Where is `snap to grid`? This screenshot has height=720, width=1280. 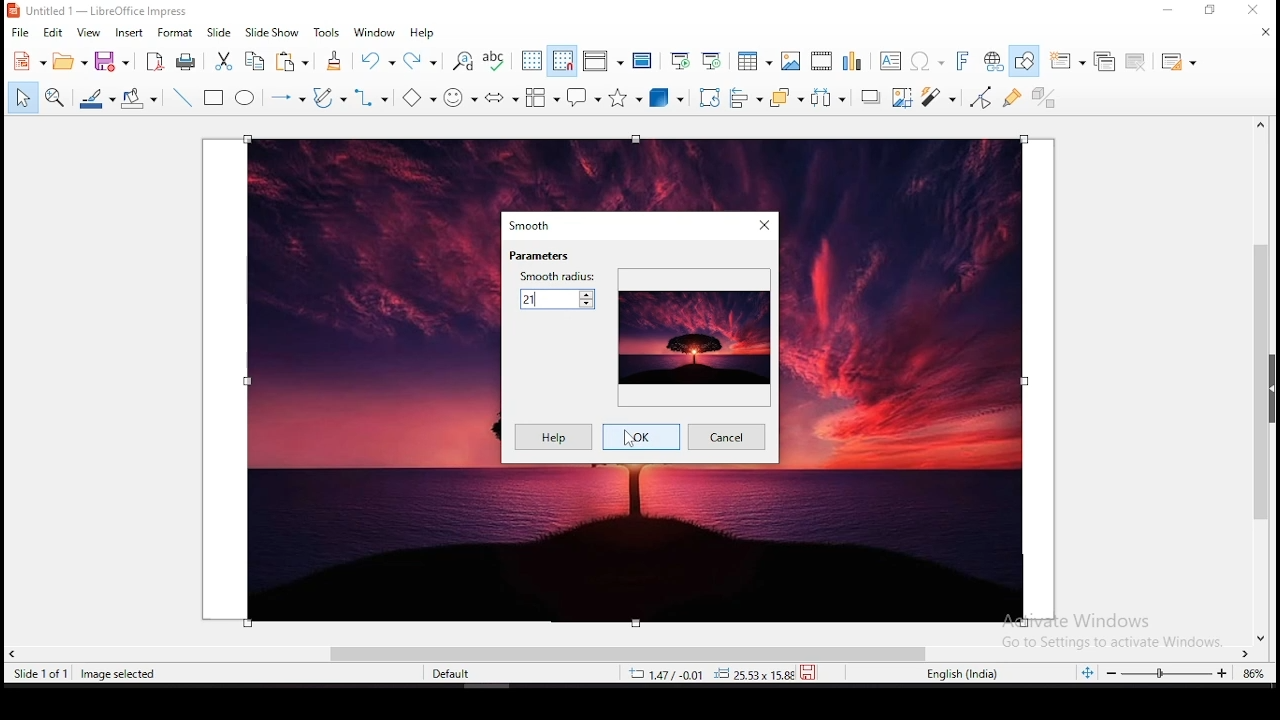 snap to grid is located at coordinates (561, 62).